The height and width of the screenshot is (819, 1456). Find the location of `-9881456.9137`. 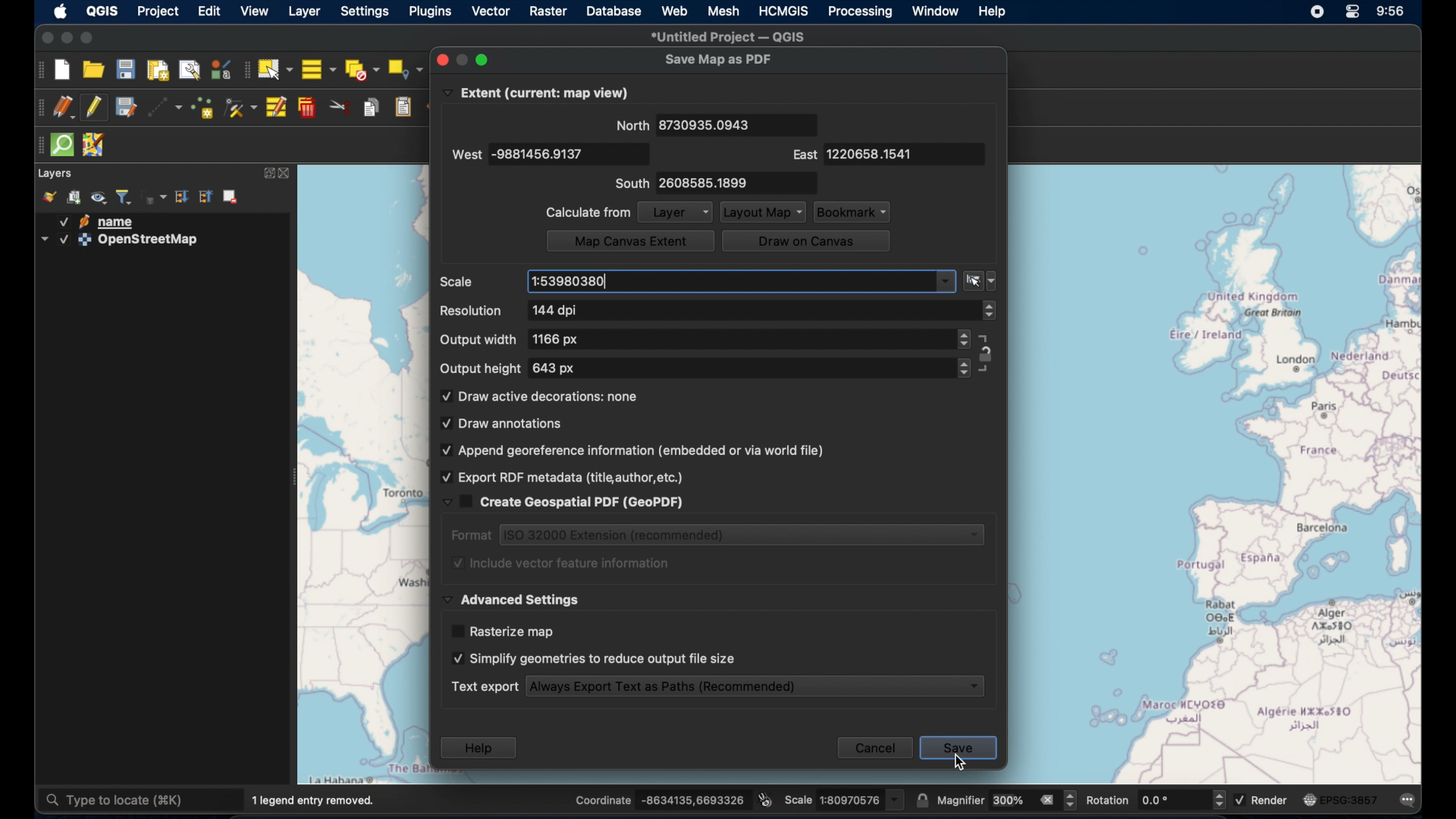

-9881456.9137 is located at coordinates (539, 153).